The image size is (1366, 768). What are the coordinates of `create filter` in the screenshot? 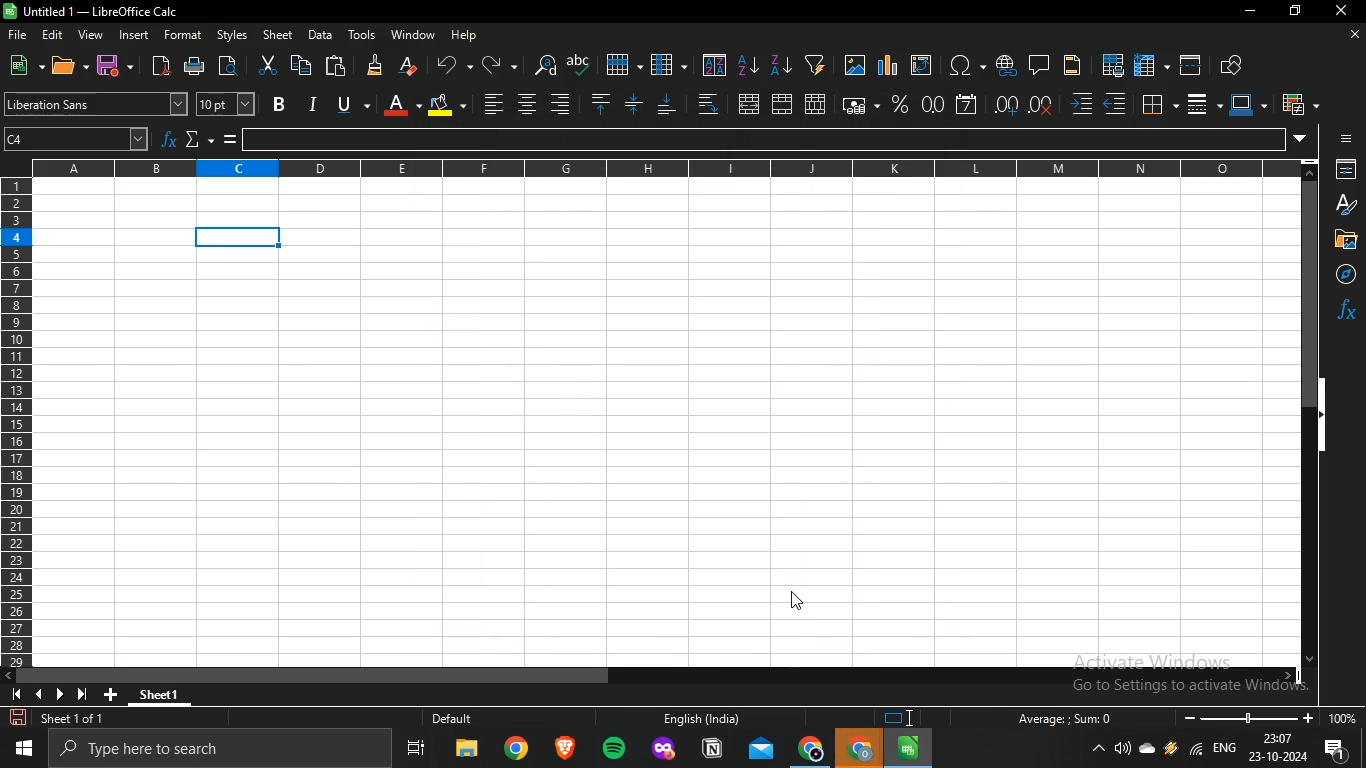 It's located at (815, 63).